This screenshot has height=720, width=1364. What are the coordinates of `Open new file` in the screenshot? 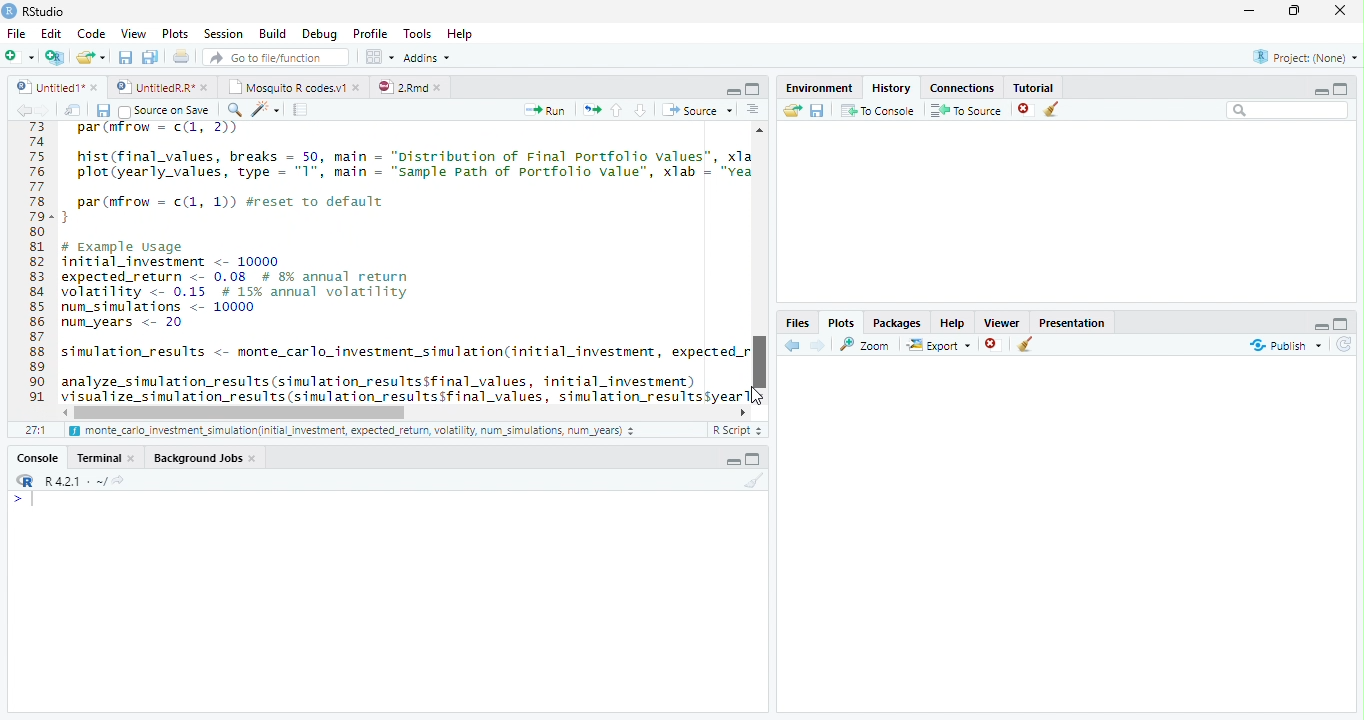 It's located at (19, 56).